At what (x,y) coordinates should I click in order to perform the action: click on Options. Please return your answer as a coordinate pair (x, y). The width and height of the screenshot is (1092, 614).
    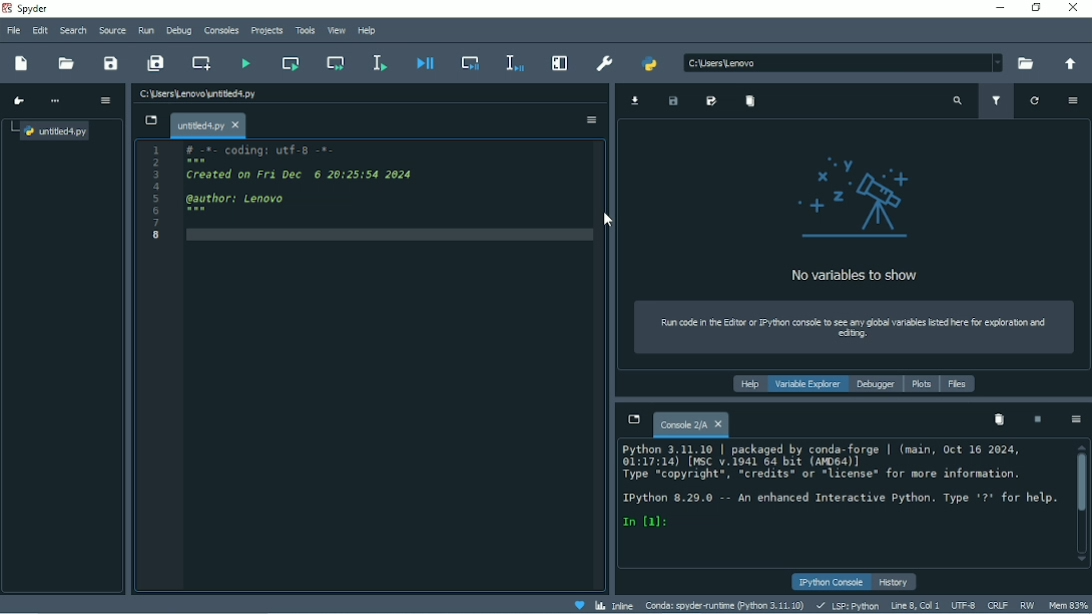
    Looking at the image, I should click on (590, 122).